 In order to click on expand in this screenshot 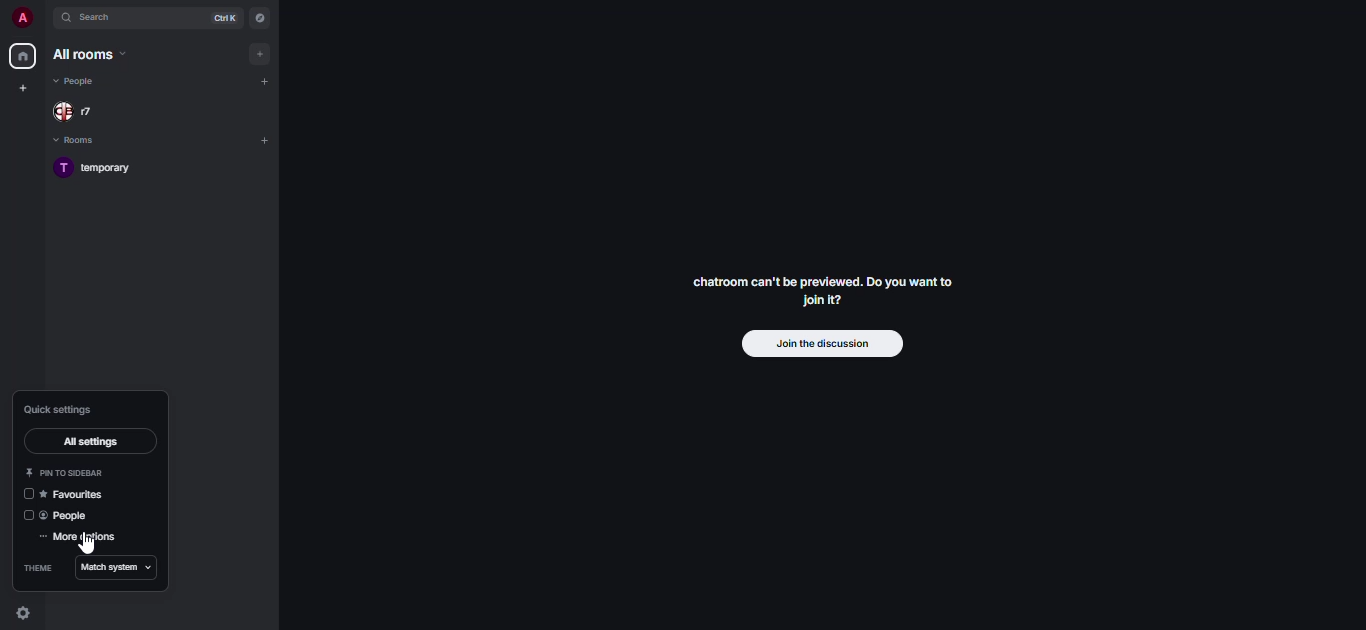, I will do `click(47, 22)`.